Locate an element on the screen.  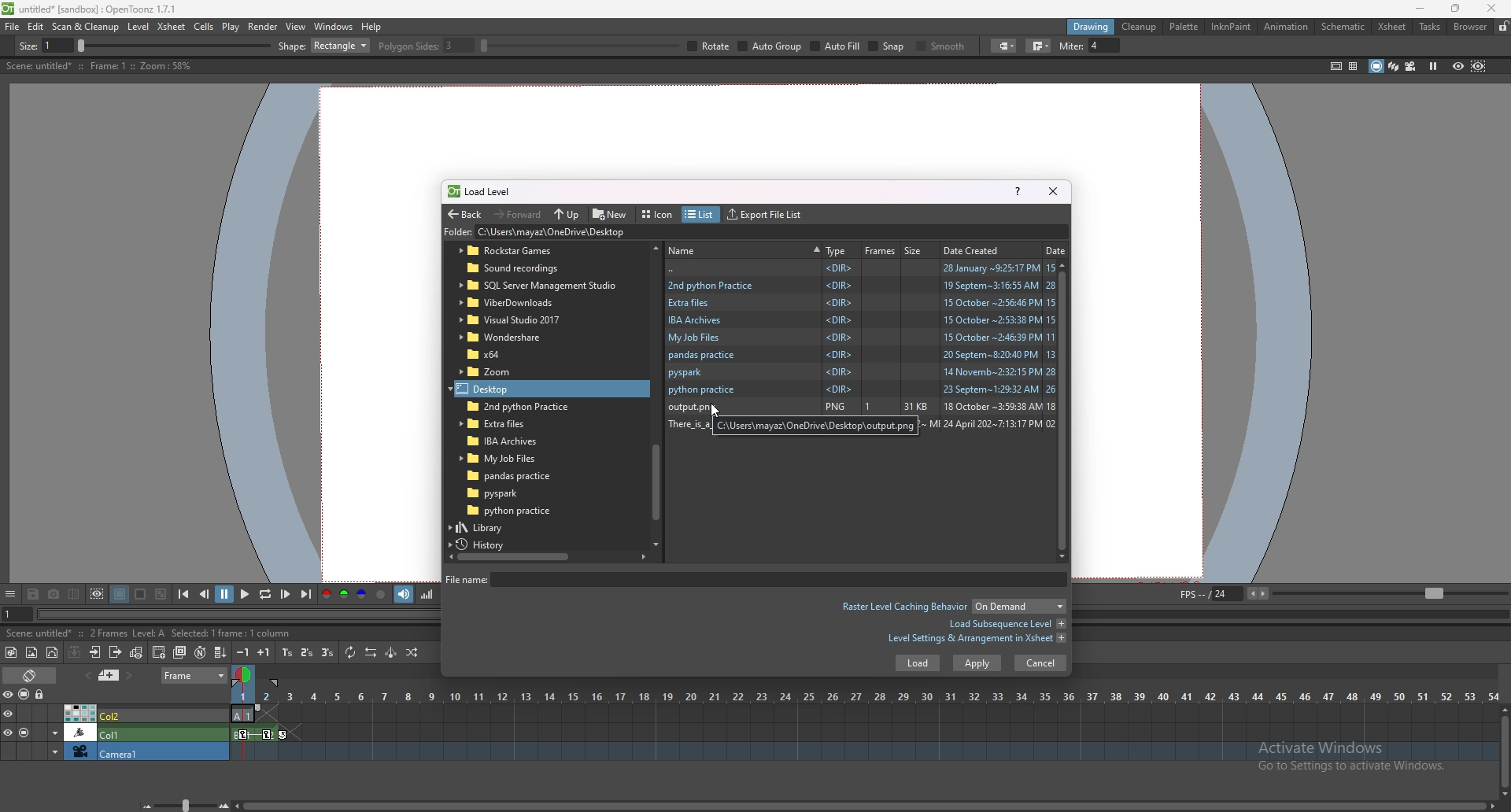
goto frame is located at coordinates (17, 615).